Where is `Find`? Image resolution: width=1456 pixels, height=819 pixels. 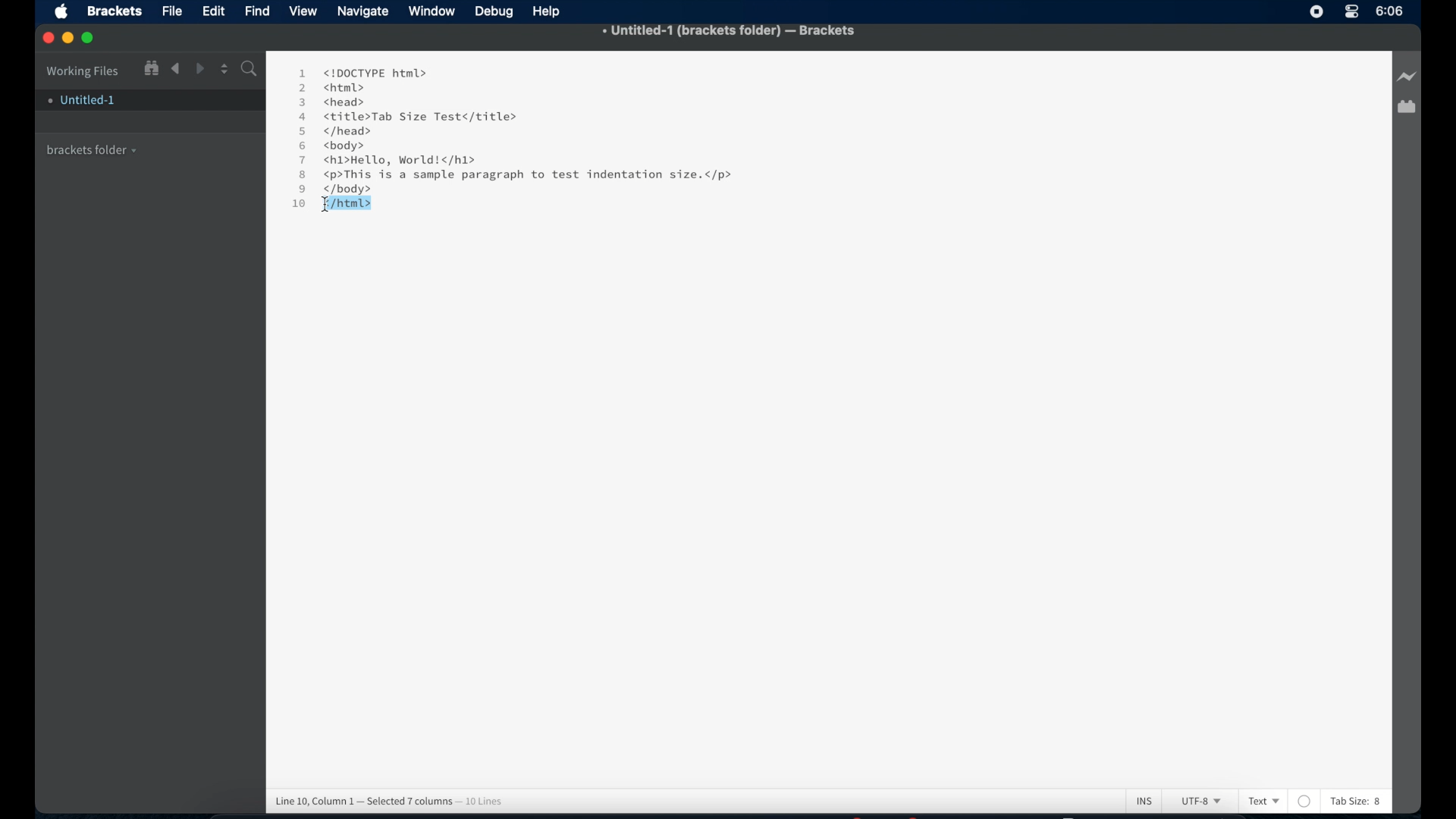 Find is located at coordinates (258, 10).